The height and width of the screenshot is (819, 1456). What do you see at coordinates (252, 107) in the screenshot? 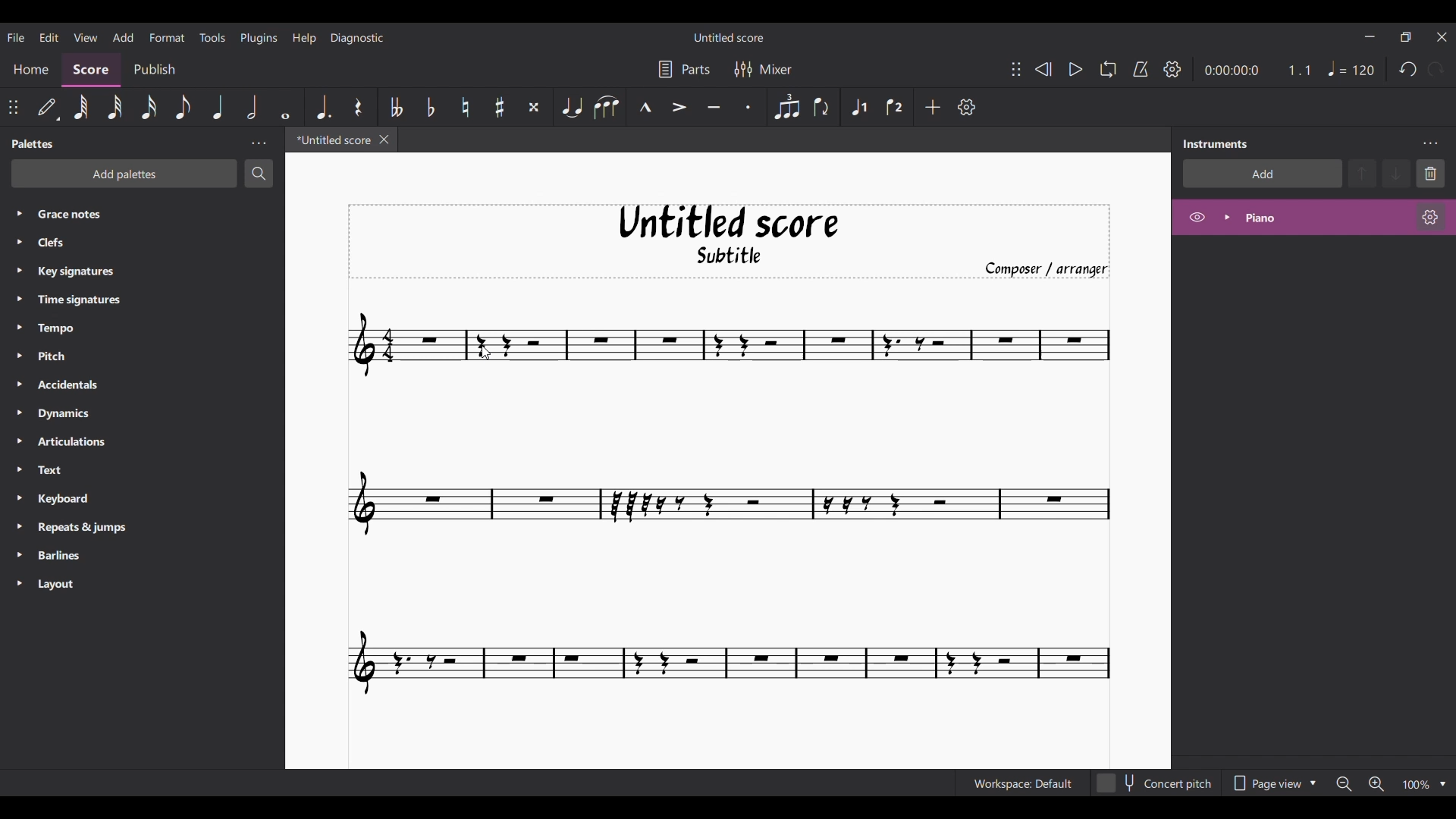
I see `Half note` at bounding box center [252, 107].